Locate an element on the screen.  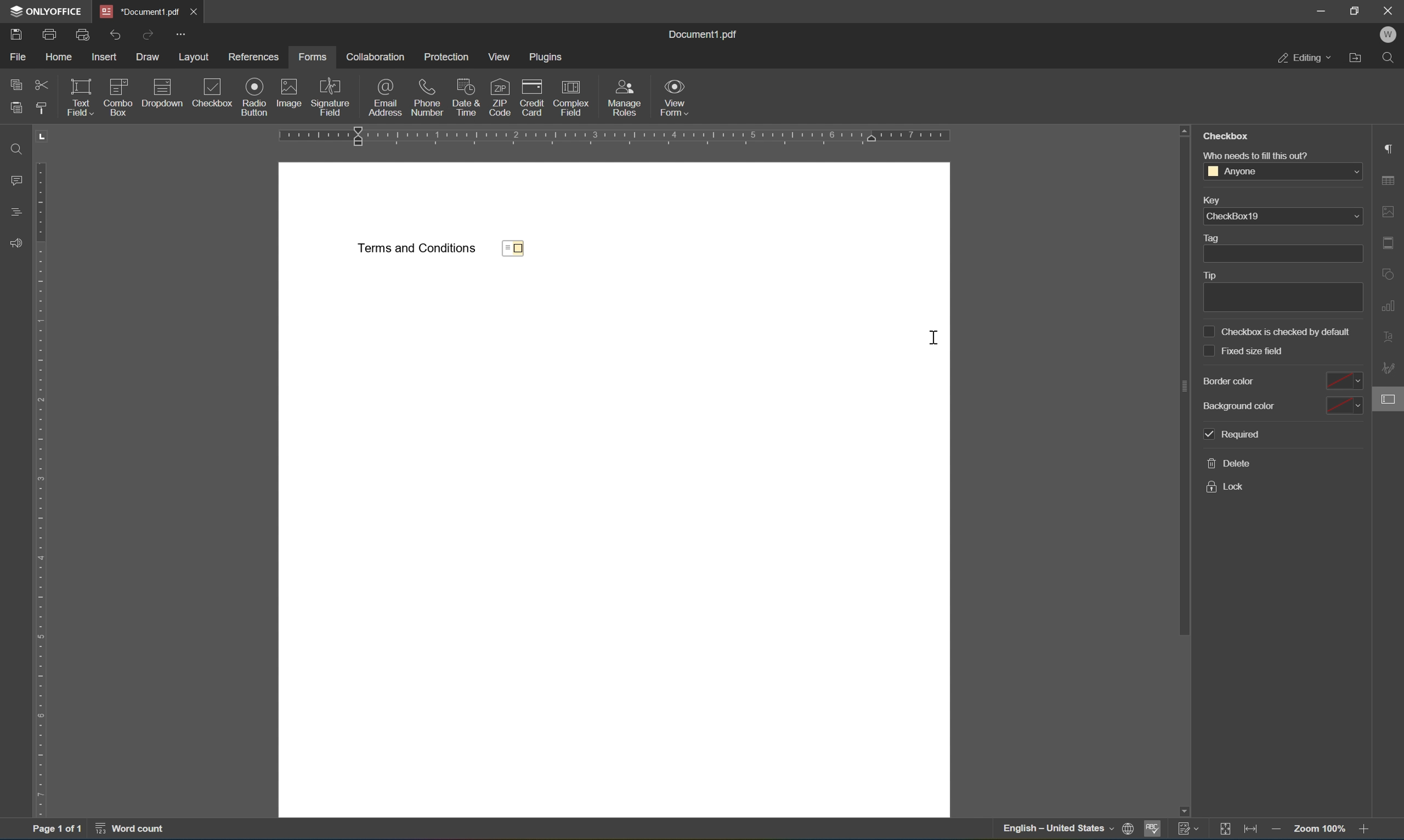
view form is located at coordinates (674, 97).